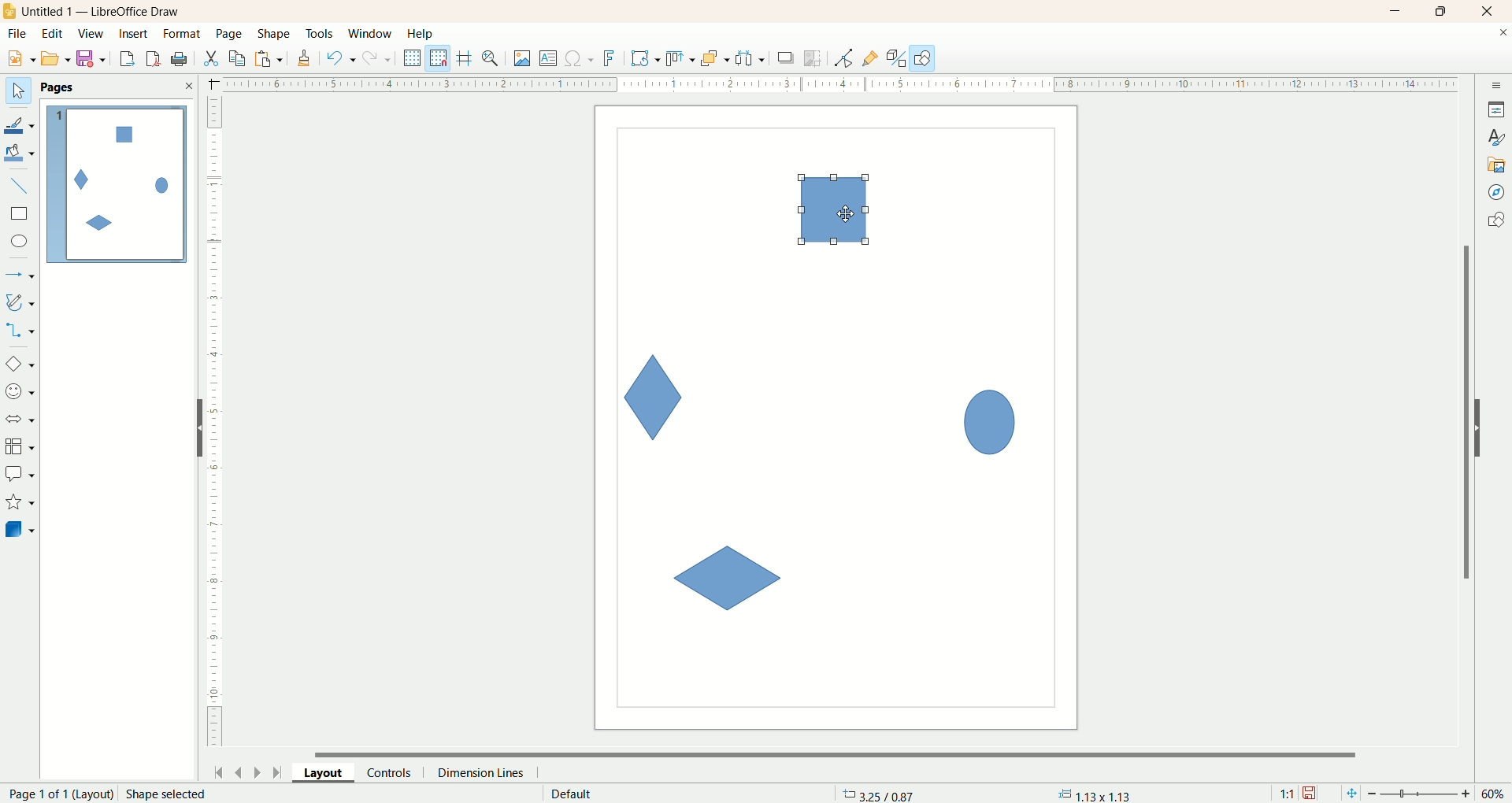 The image size is (1512, 803). Describe the element at coordinates (1495, 222) in the screenshot. I see `shapes` at that location.